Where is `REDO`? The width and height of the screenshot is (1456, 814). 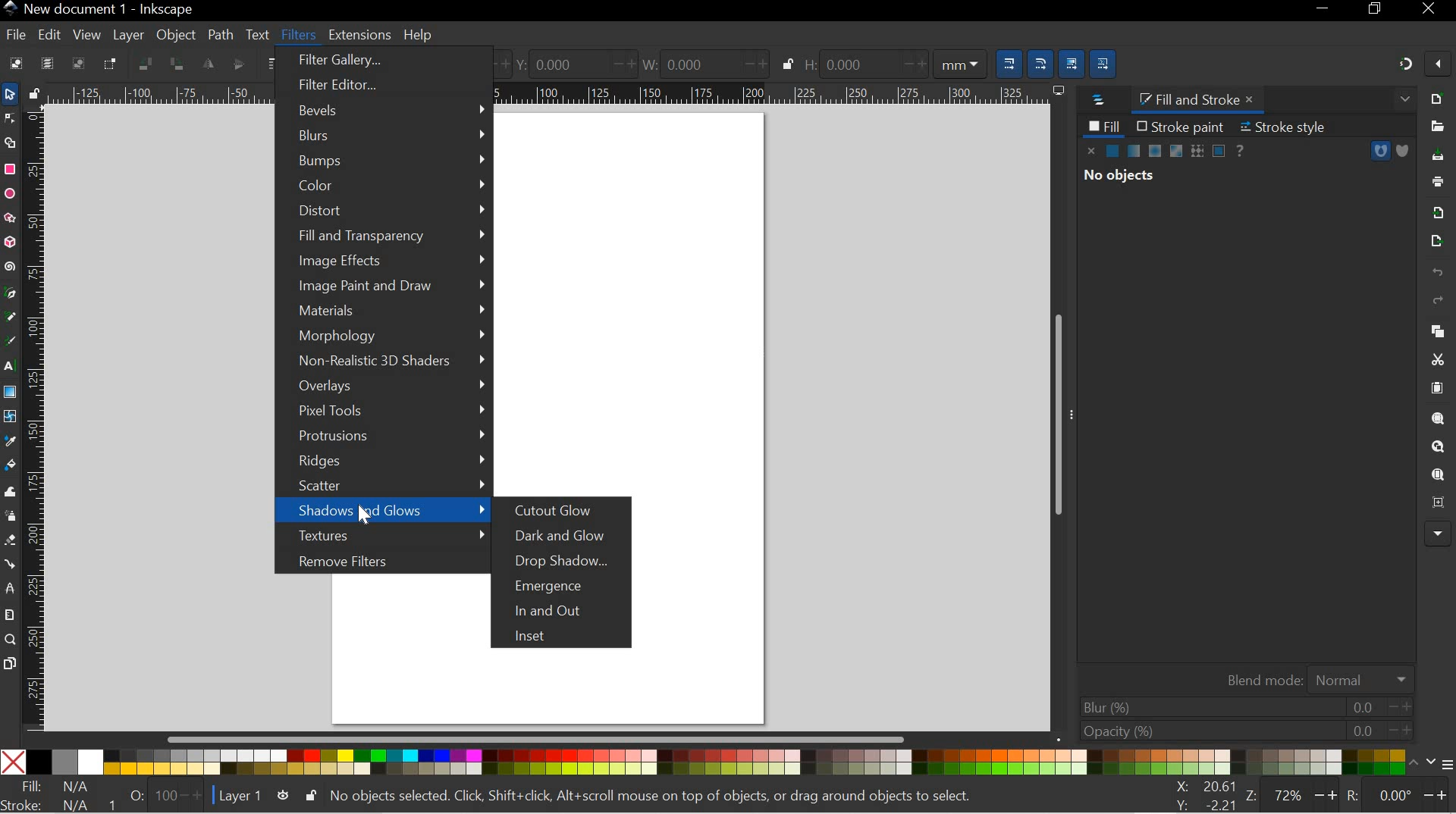
REDO is located at coordinates (1438, 301).